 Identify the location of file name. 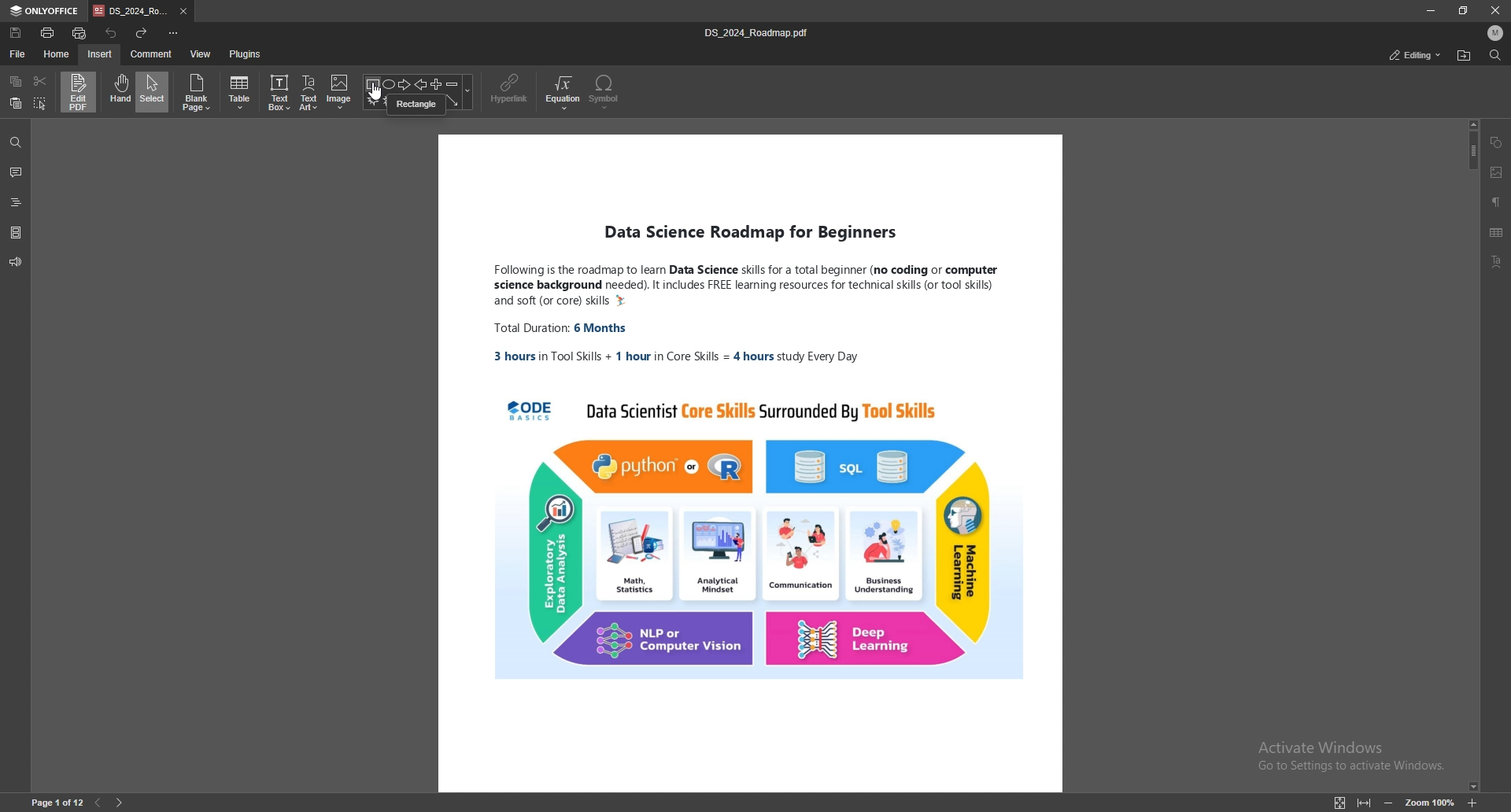
(760, 32).